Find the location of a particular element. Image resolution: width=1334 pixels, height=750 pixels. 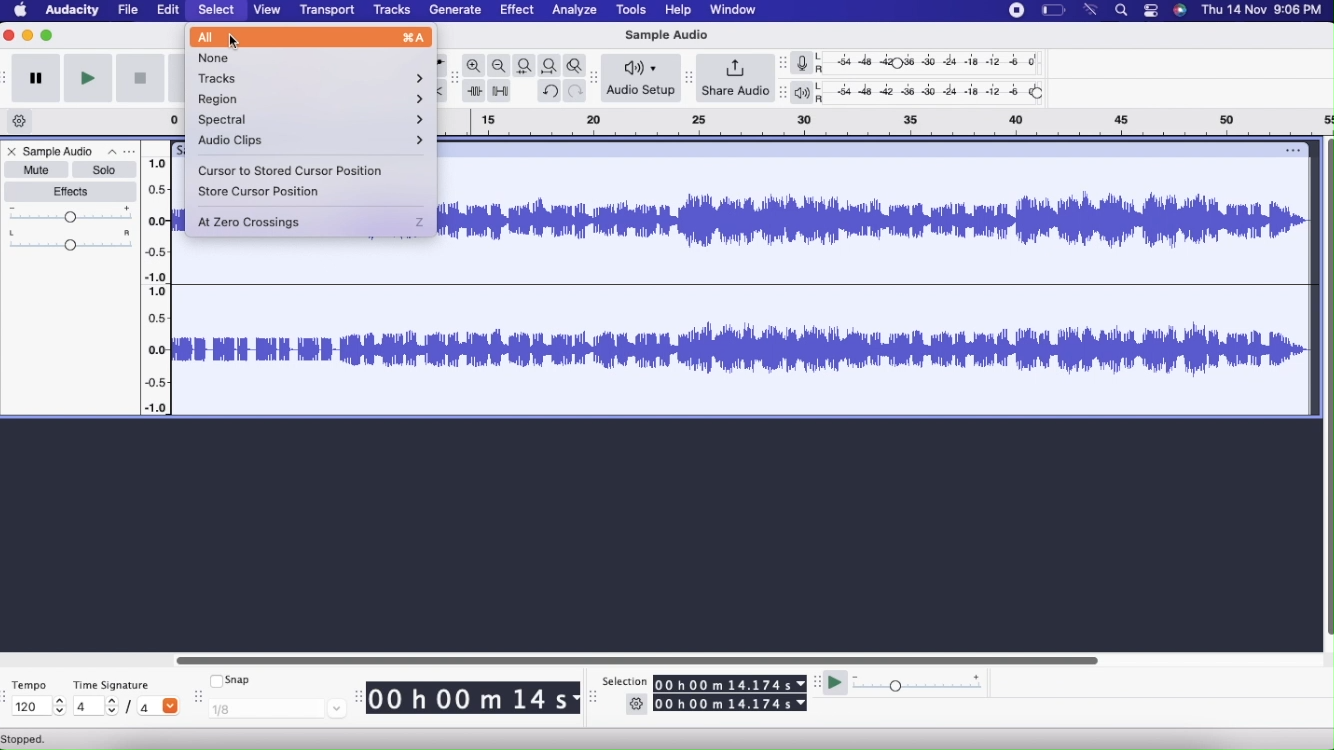

Play at speed is located at coordinates (836, 684).